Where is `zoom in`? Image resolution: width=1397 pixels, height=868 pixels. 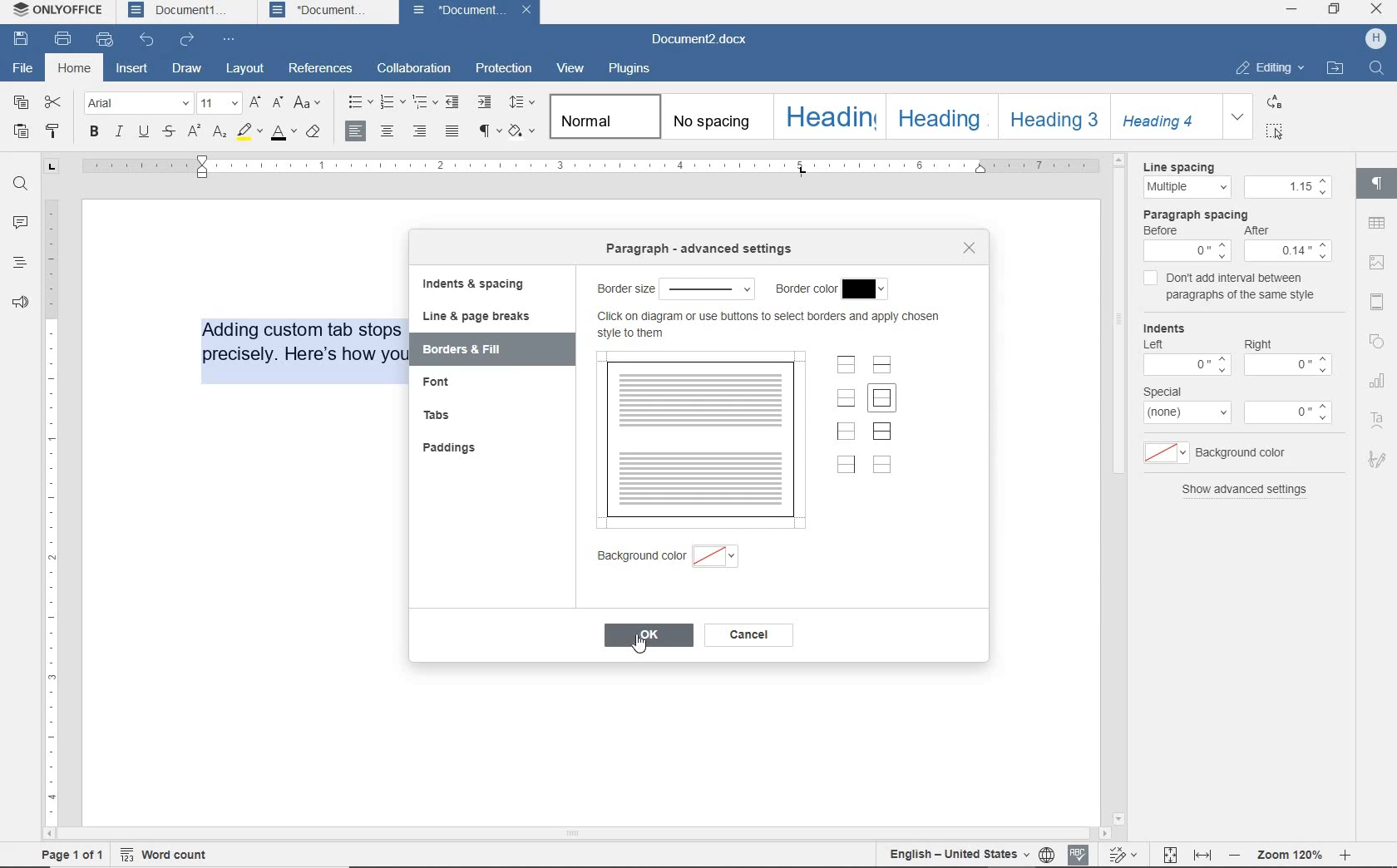
zoom in is located at coordinates (1354, 854).